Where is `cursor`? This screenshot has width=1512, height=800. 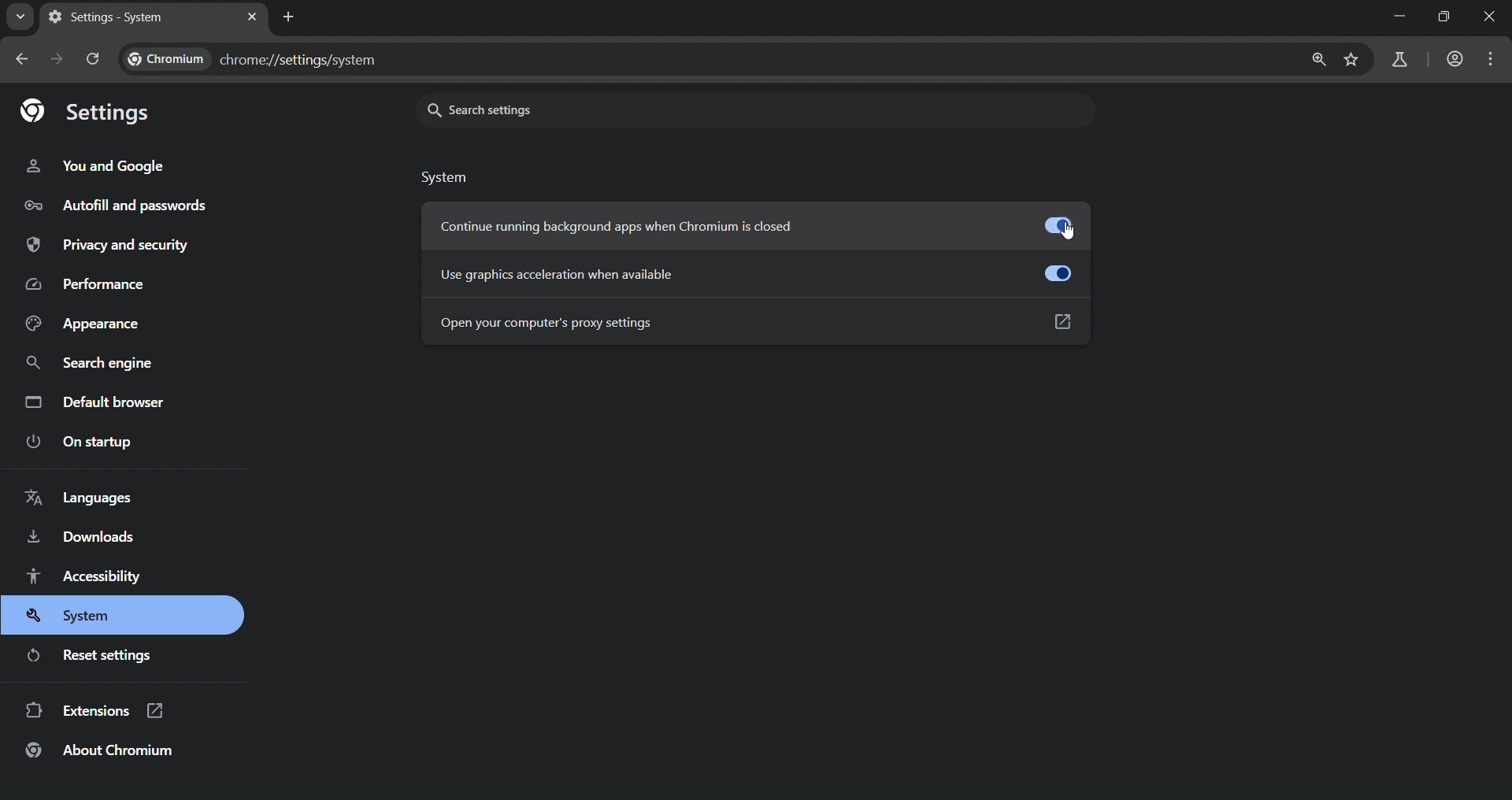
cursor is located at coordinates (1074, 235).